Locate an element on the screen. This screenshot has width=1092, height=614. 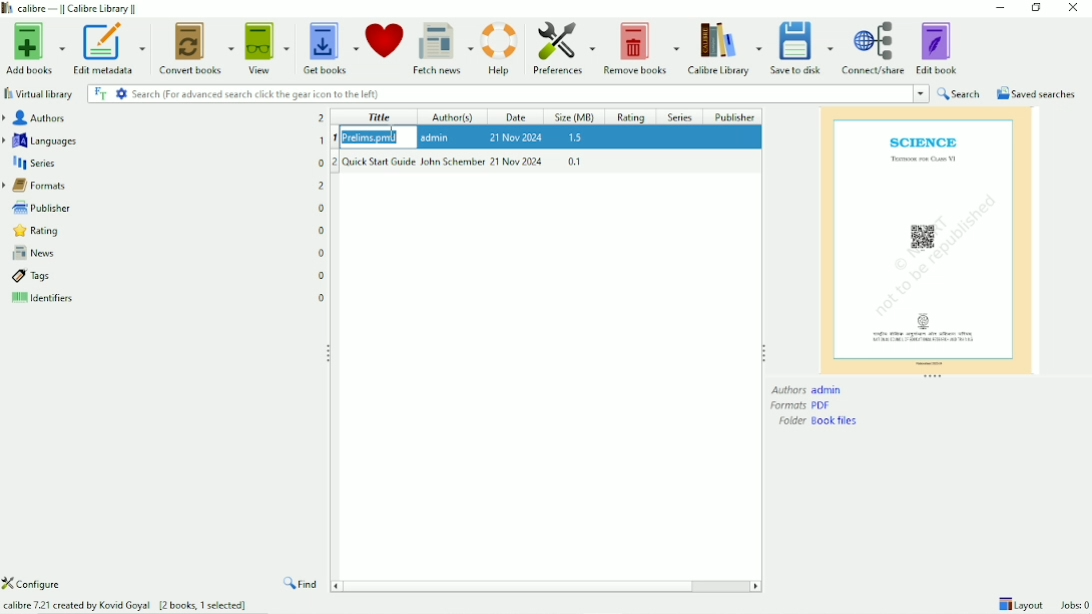
Cursor is located at coordinates (394, 131).